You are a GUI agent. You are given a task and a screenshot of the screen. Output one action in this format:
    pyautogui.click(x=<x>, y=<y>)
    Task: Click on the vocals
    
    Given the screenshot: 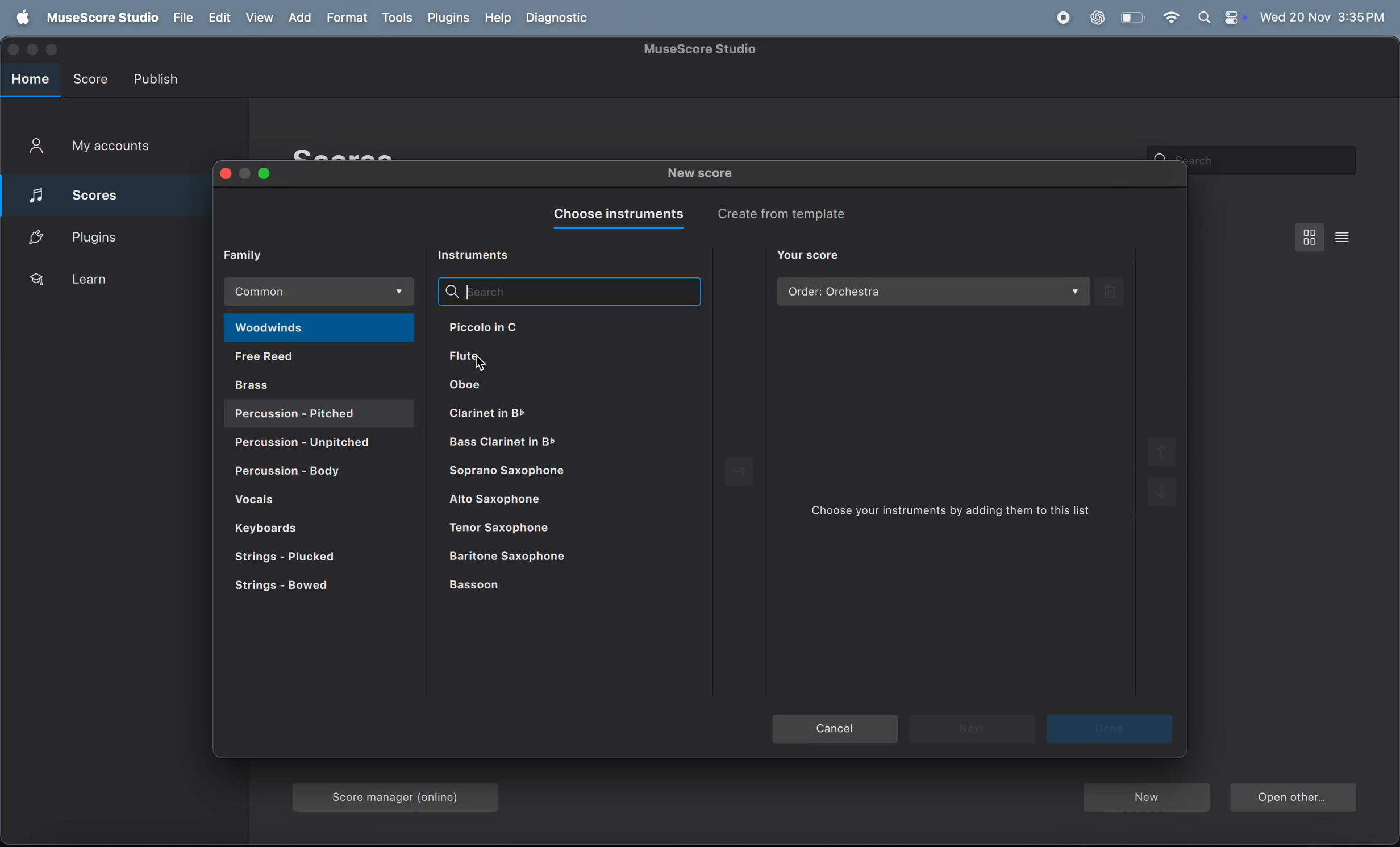 What is the action you would take?
    pyautogui.click(x=316, y=501)
    